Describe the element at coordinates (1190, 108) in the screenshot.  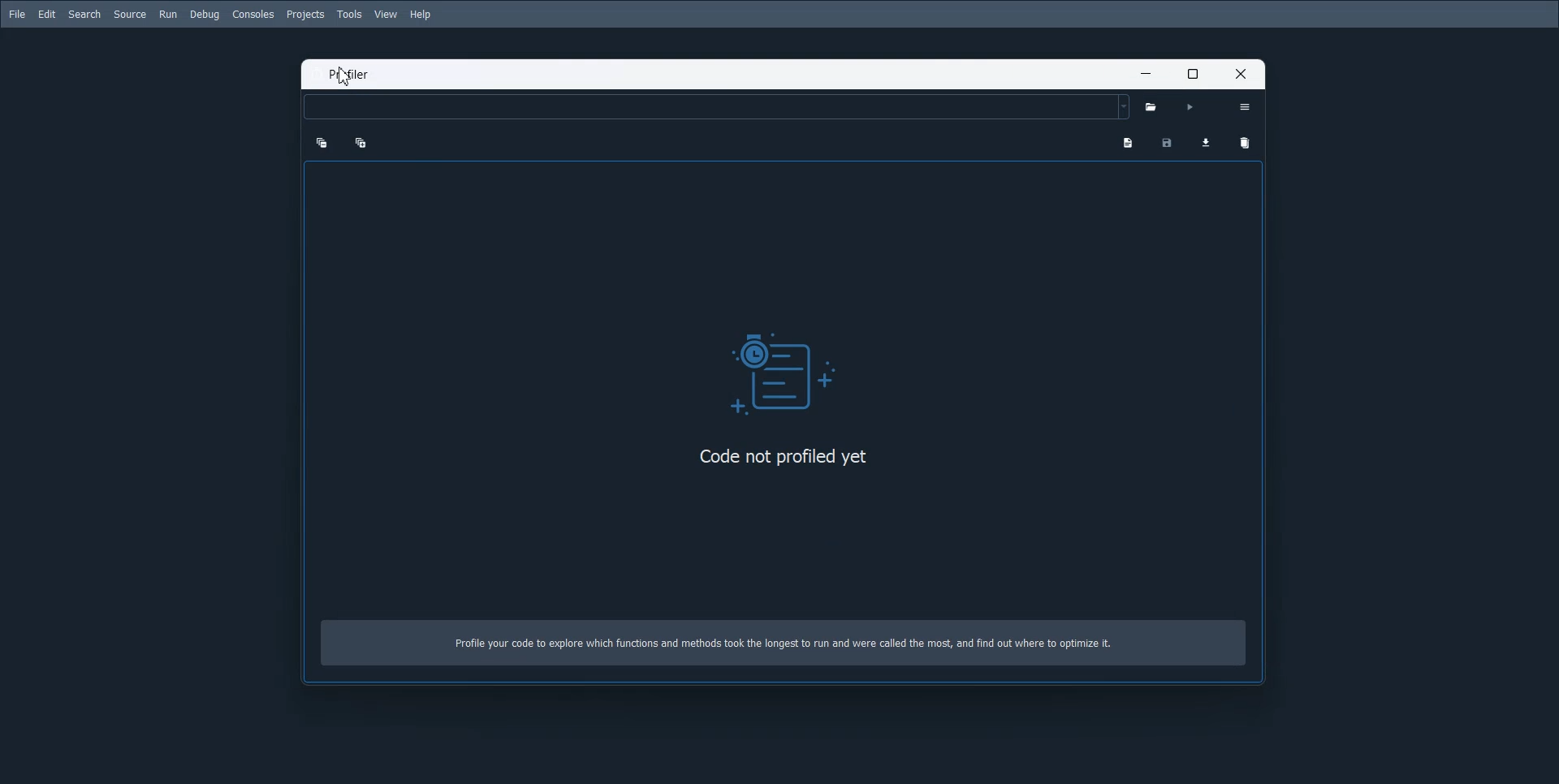
I see `Run Profile` at that location.